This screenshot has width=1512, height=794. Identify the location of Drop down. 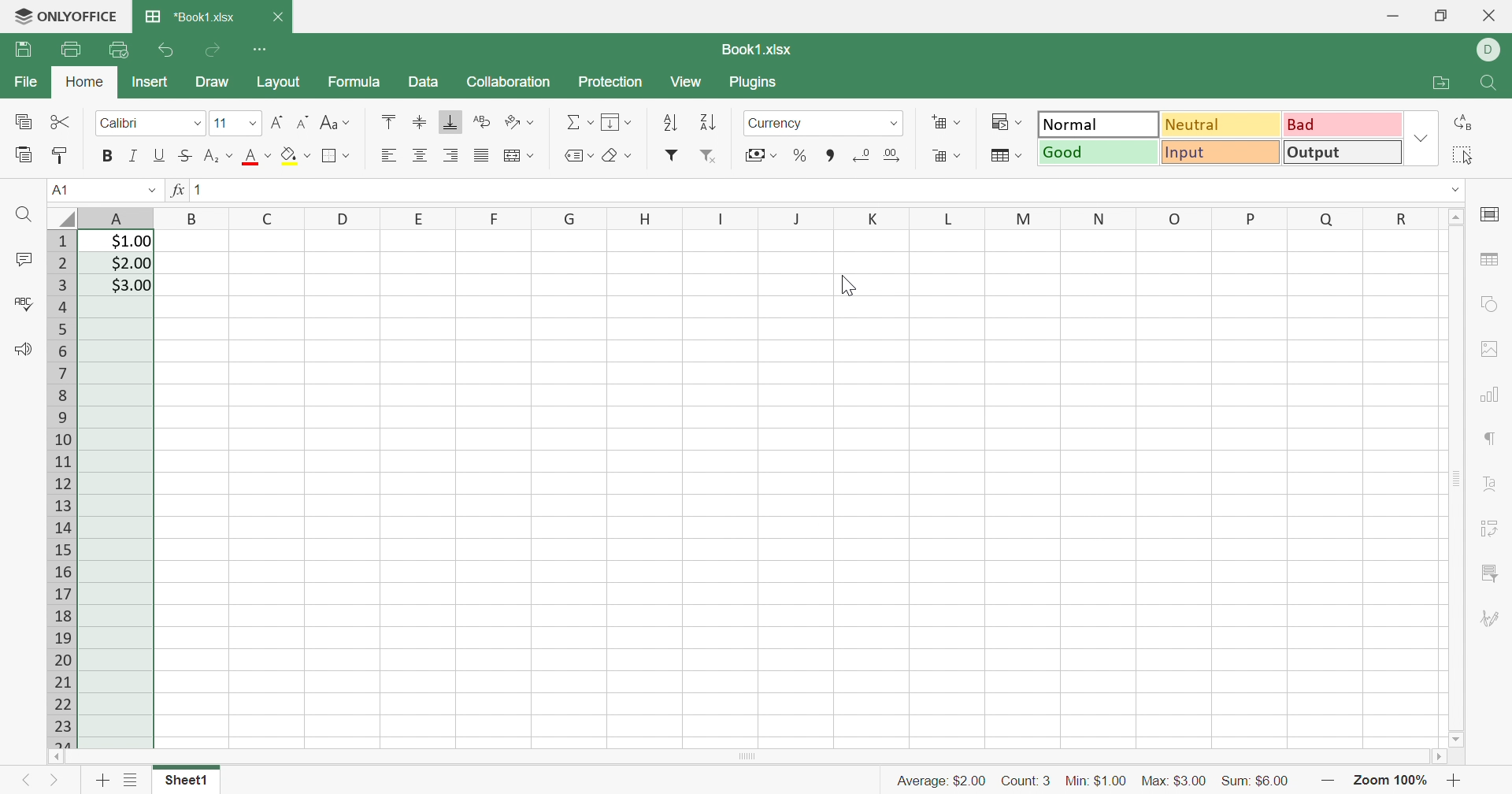
(1423, 137).